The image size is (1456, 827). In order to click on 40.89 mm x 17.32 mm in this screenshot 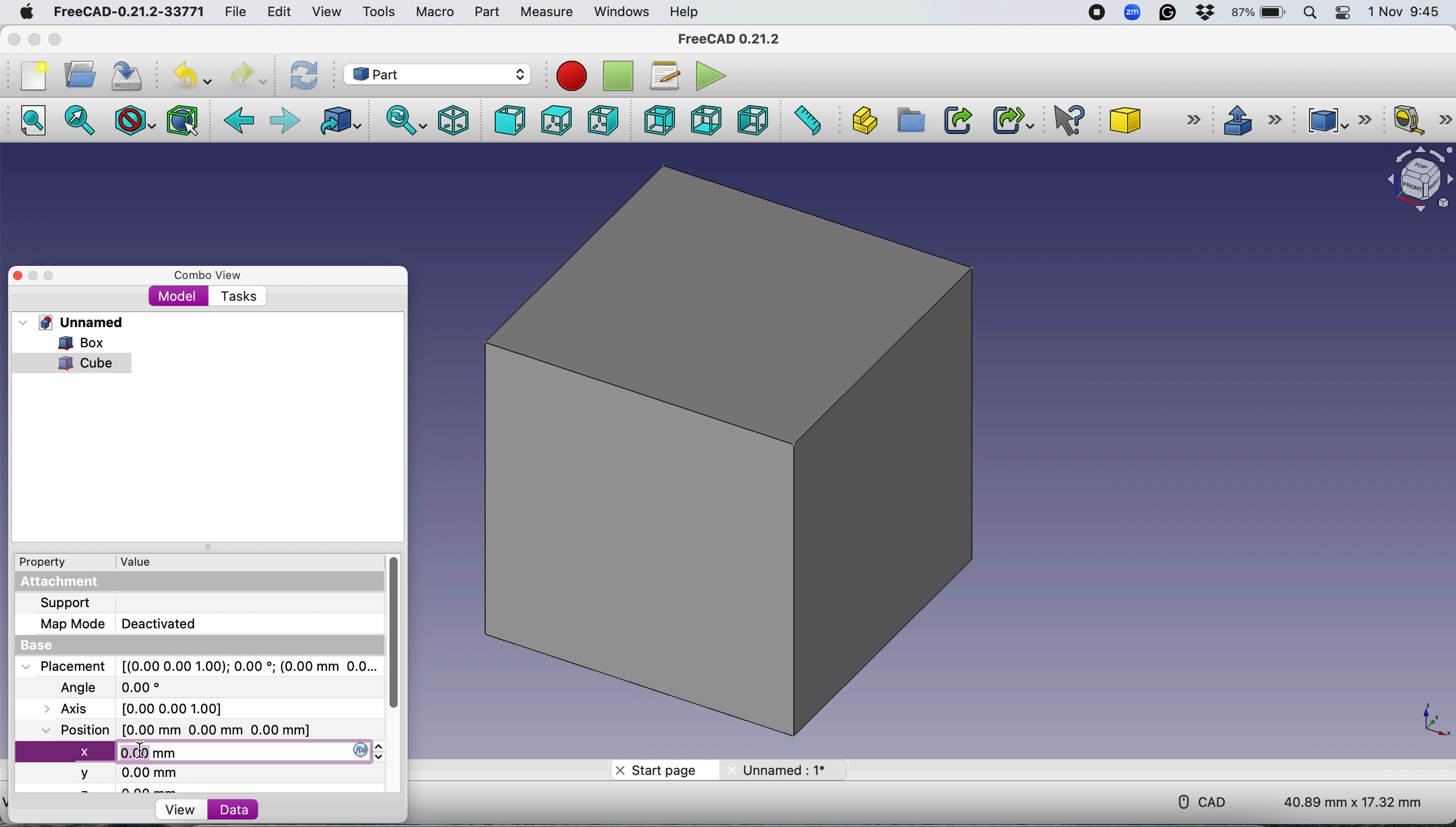, I will do `click(1343, 800)`.